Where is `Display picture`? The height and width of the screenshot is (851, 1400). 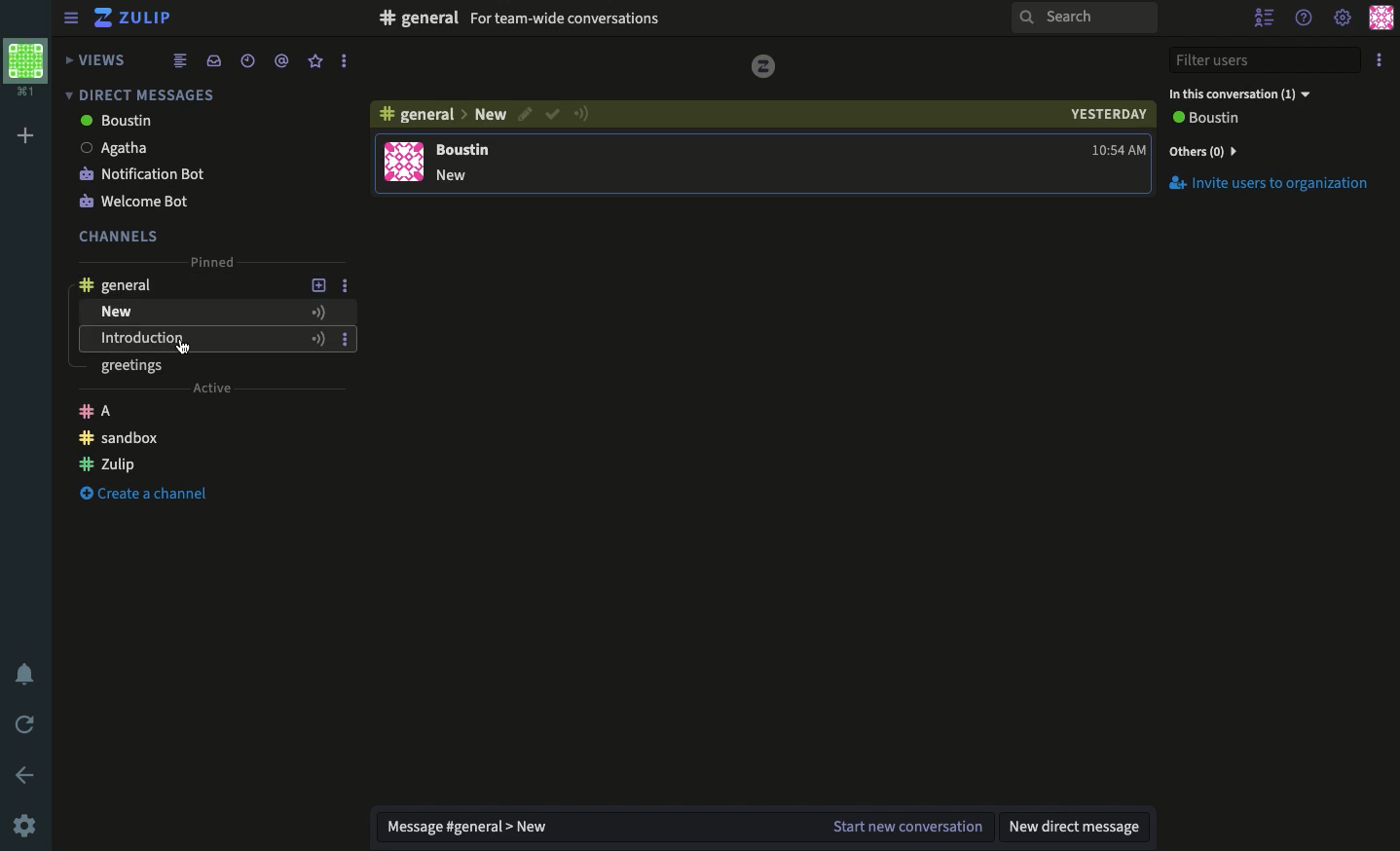
Display picture is located at coordinates (404, 162).